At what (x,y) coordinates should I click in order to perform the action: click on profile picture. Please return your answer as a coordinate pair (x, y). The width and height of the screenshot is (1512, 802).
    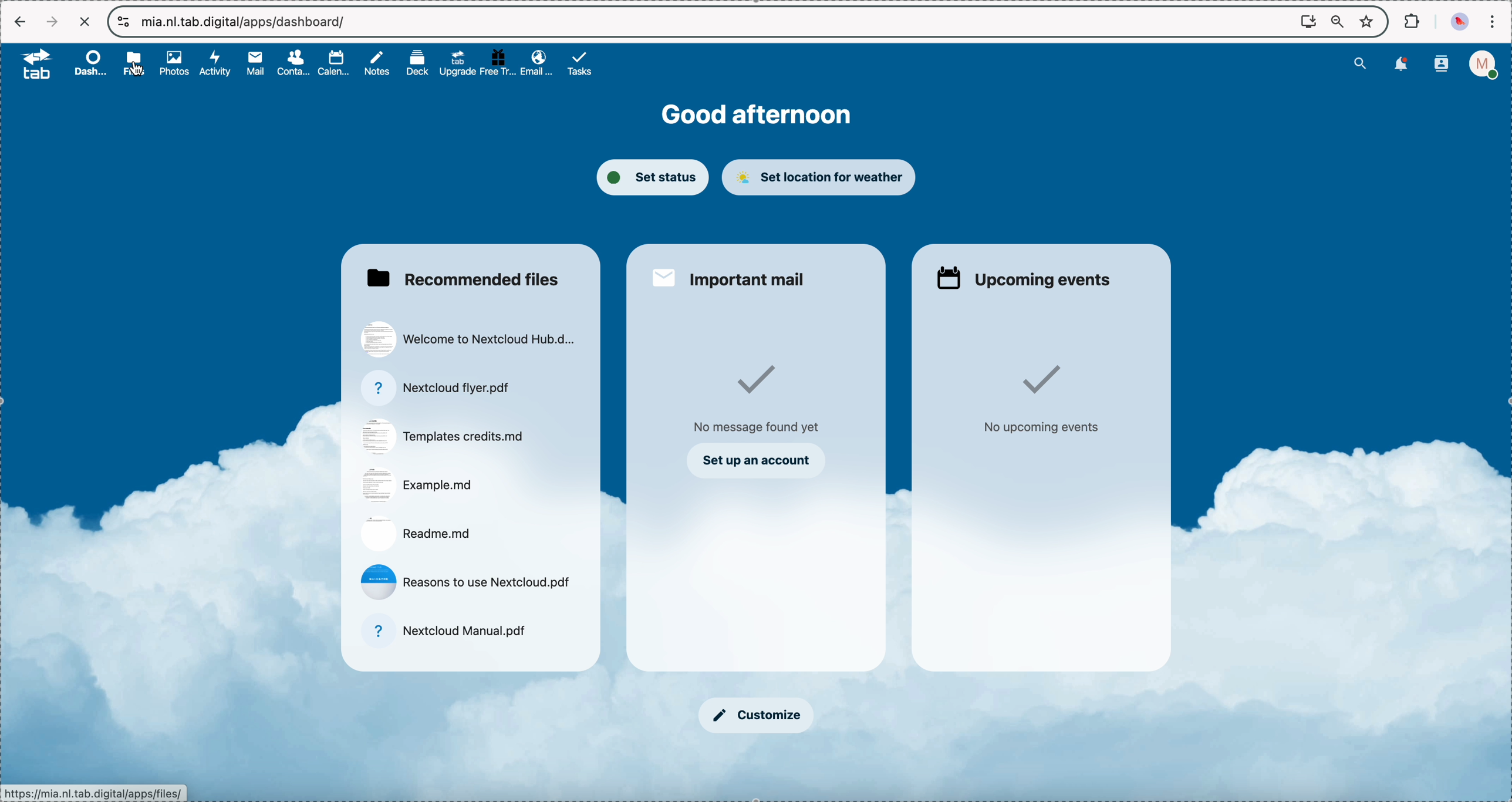
    Looking at the image, I should click on (1462, 22).